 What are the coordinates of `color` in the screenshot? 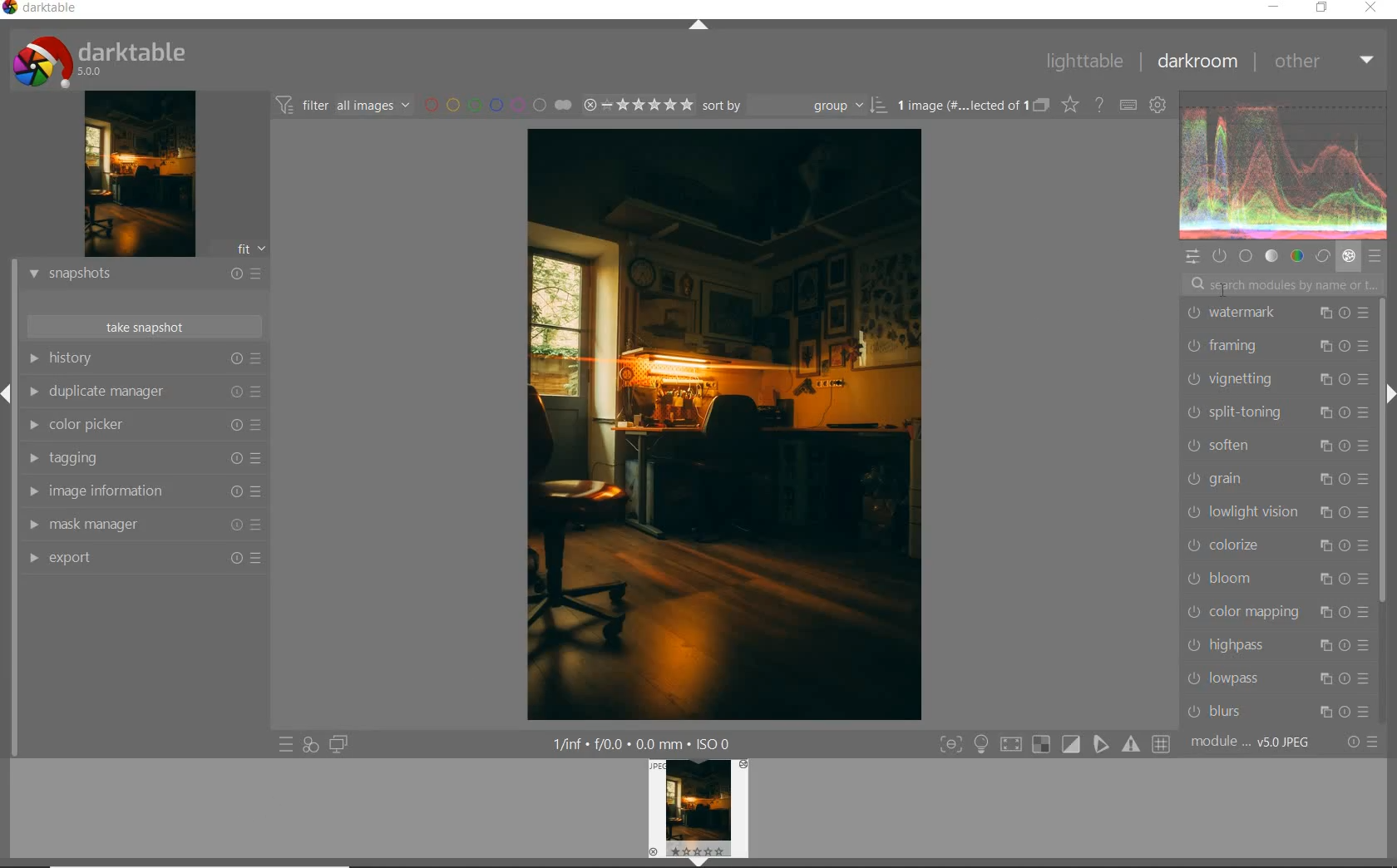 It's located at (1298, 255).